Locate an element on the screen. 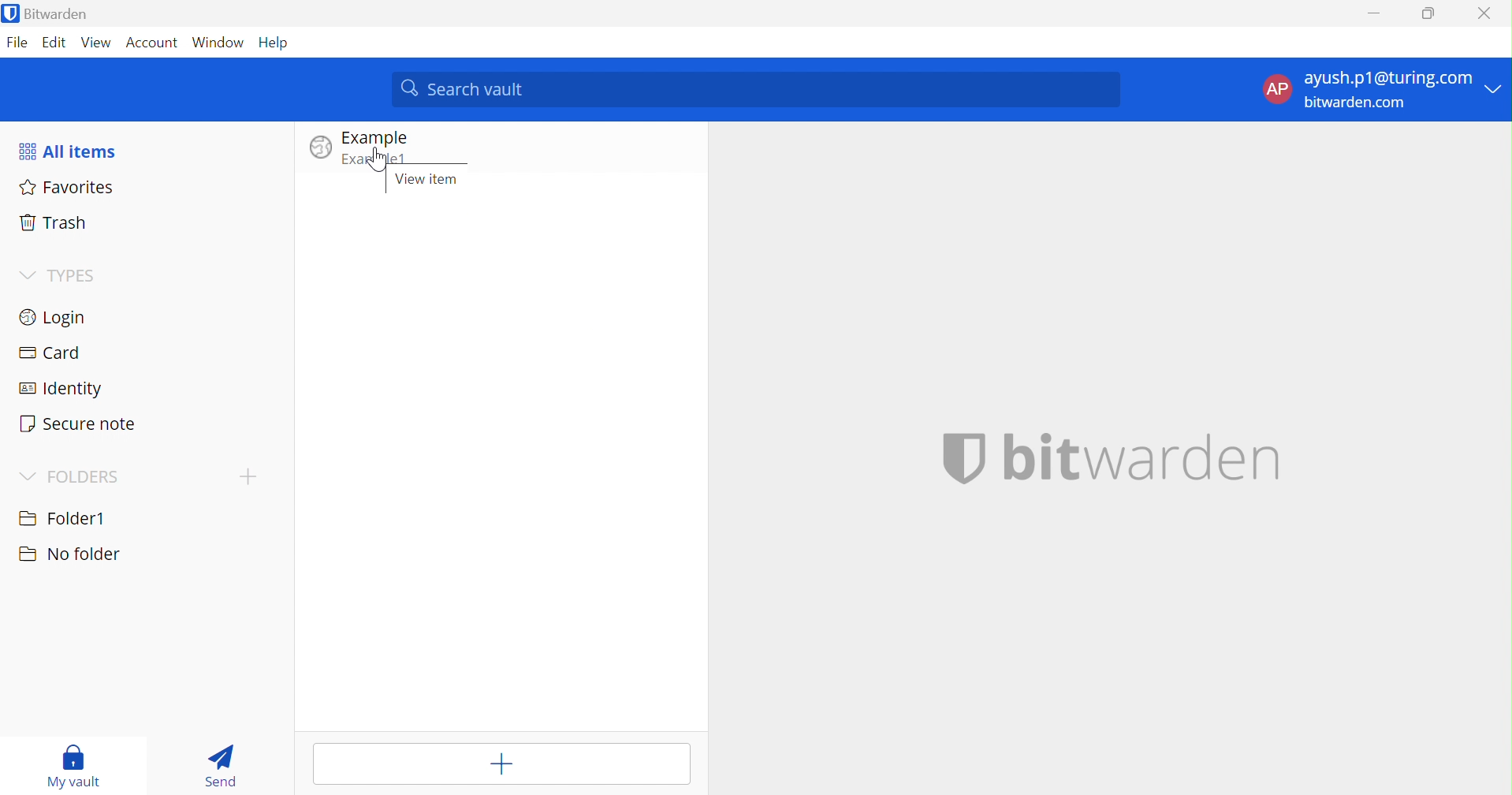 This screenshot has width=1512, height=795. No folder is located at coordinates (69, 554).